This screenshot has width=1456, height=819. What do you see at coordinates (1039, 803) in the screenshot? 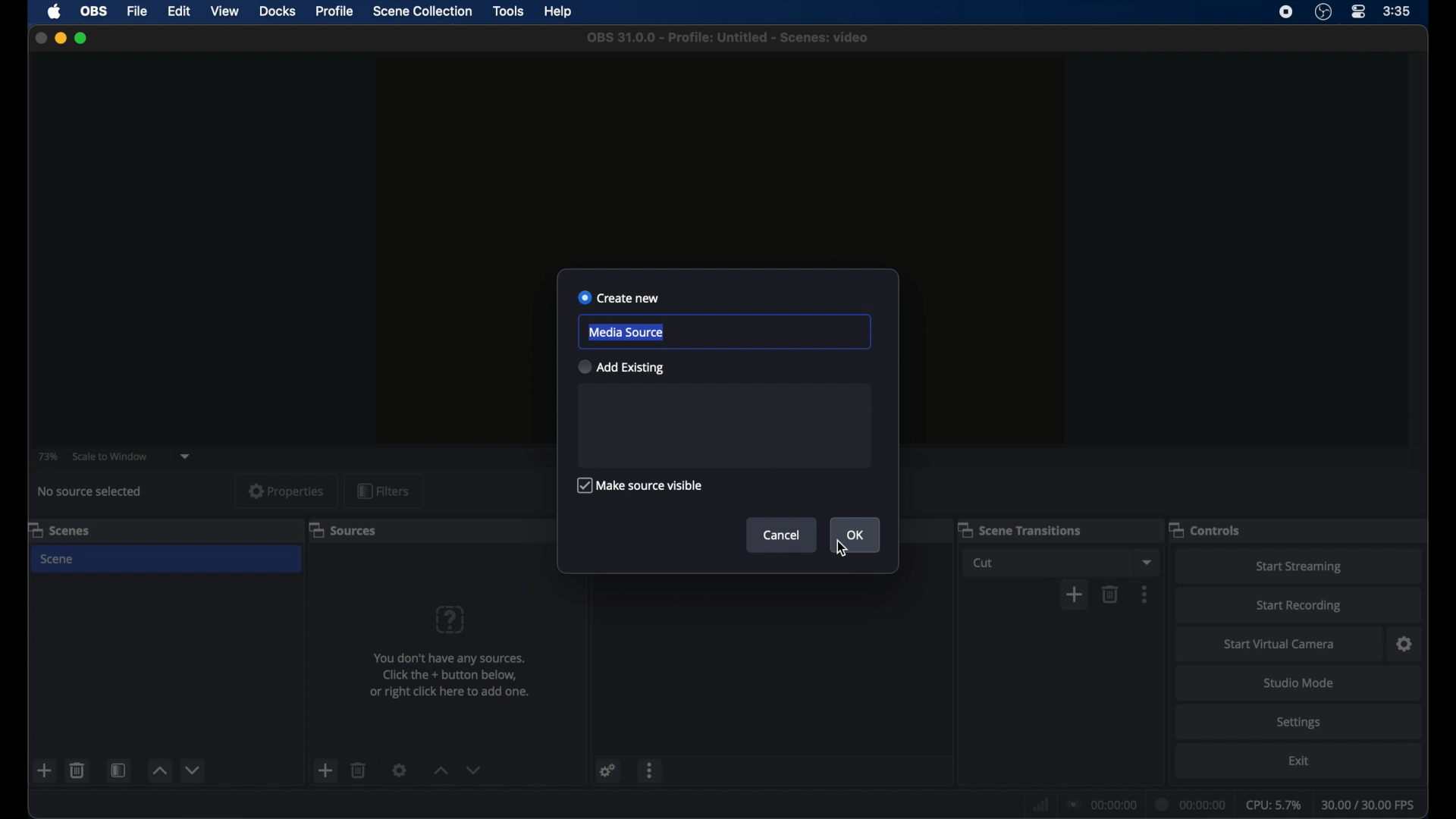
I see `network` at bounding box center [1039, 803].